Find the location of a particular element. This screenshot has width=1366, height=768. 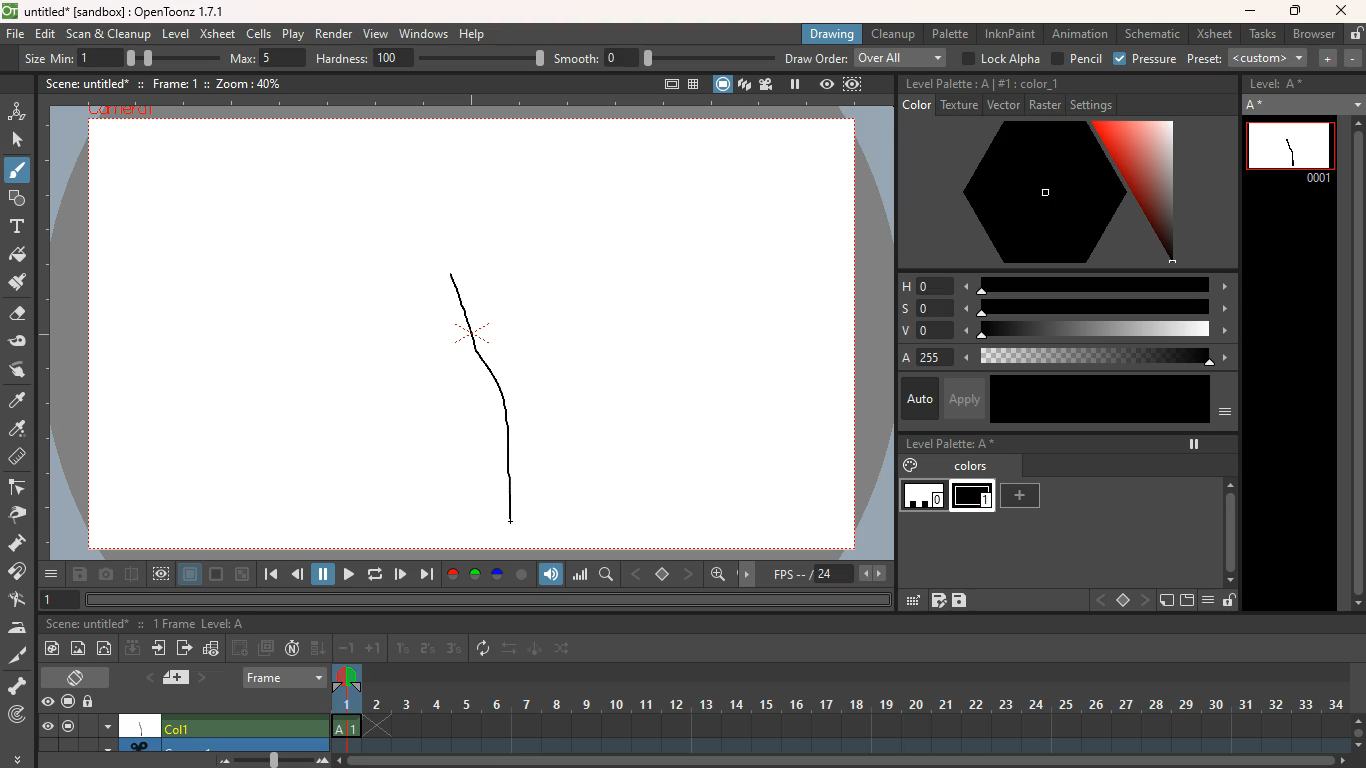

lock alpha is located at coordinates (1001, 58).